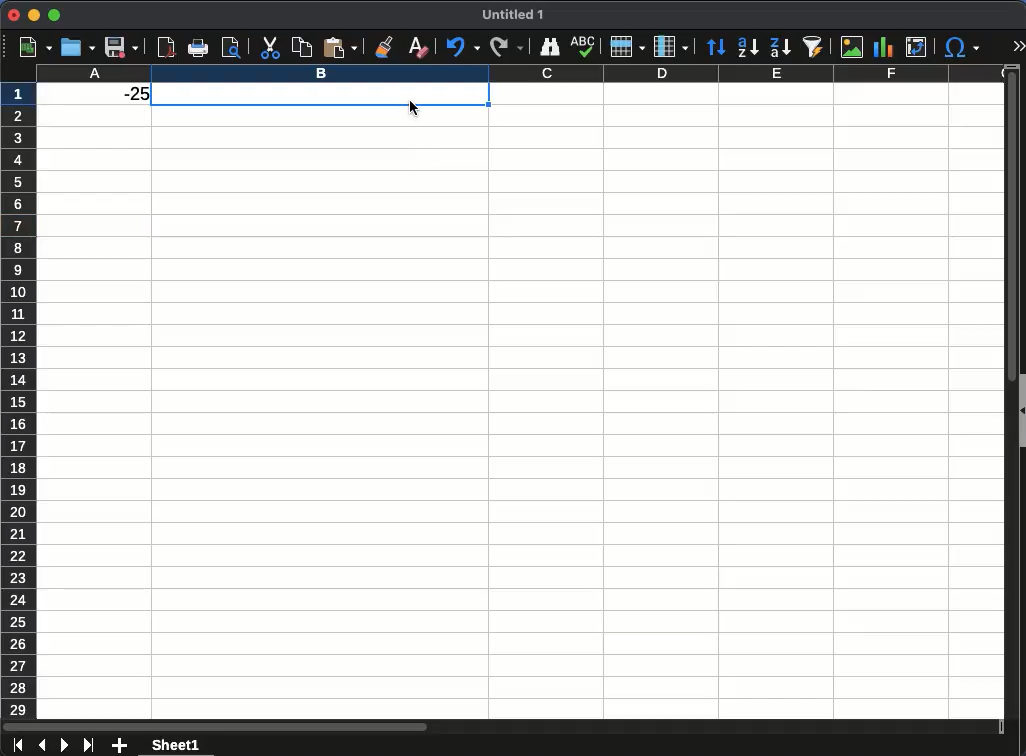  I want to click on autofilter, so click(816, 47).